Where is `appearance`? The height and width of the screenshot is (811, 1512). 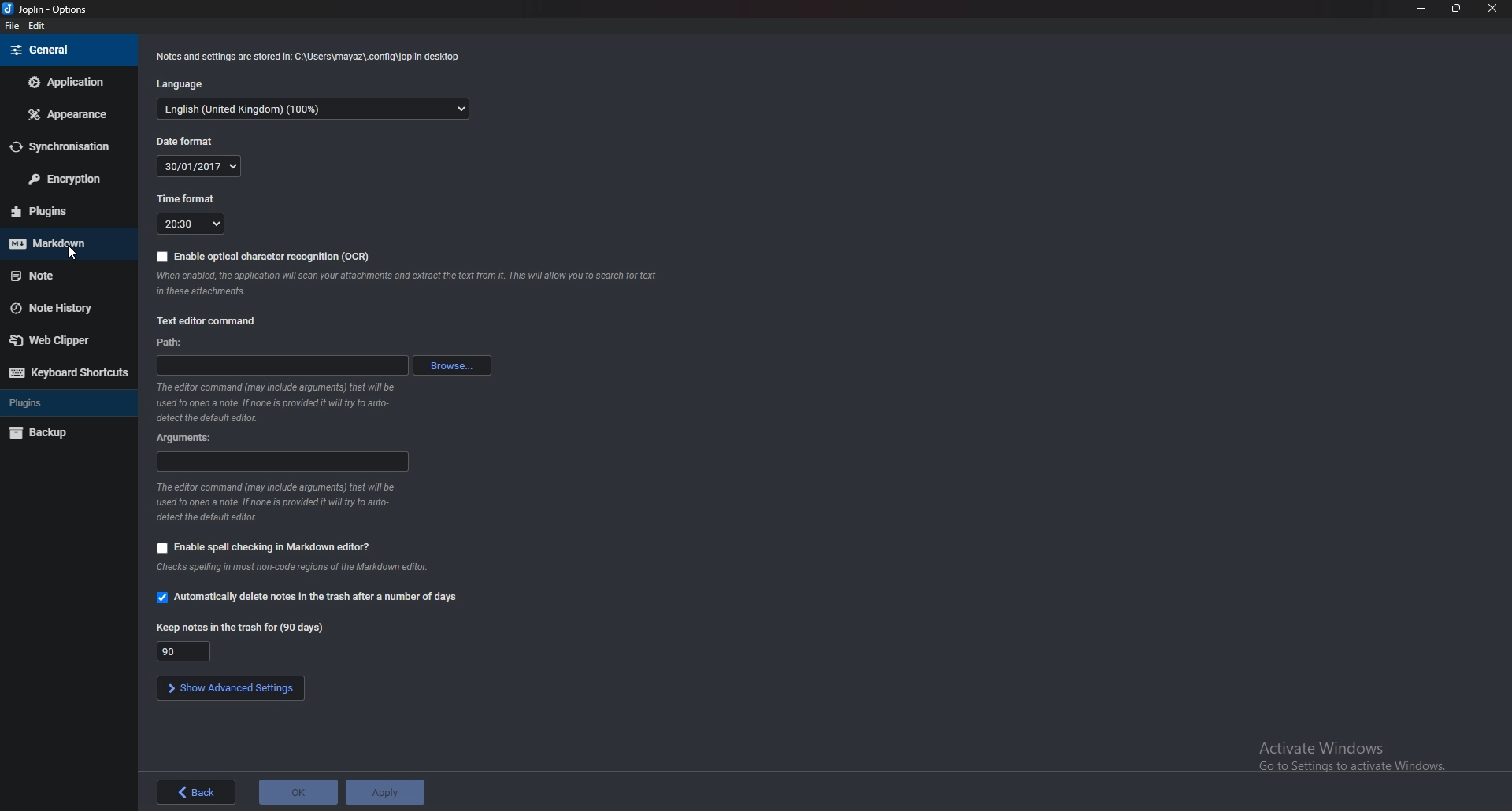
appearance is located at coordinates (65, 116).